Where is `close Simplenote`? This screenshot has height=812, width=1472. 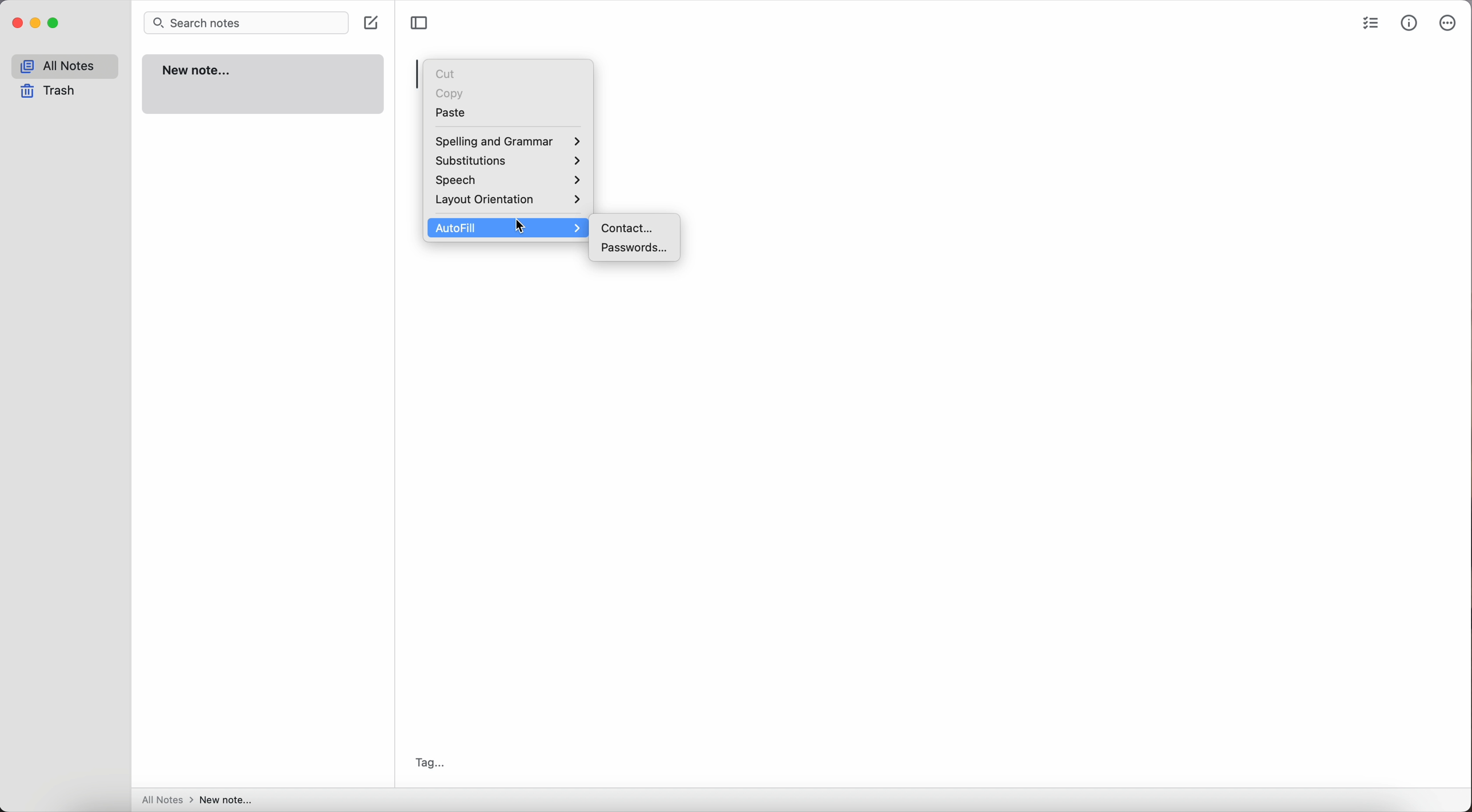
close Simplenote is located at coordinates (17, 23).